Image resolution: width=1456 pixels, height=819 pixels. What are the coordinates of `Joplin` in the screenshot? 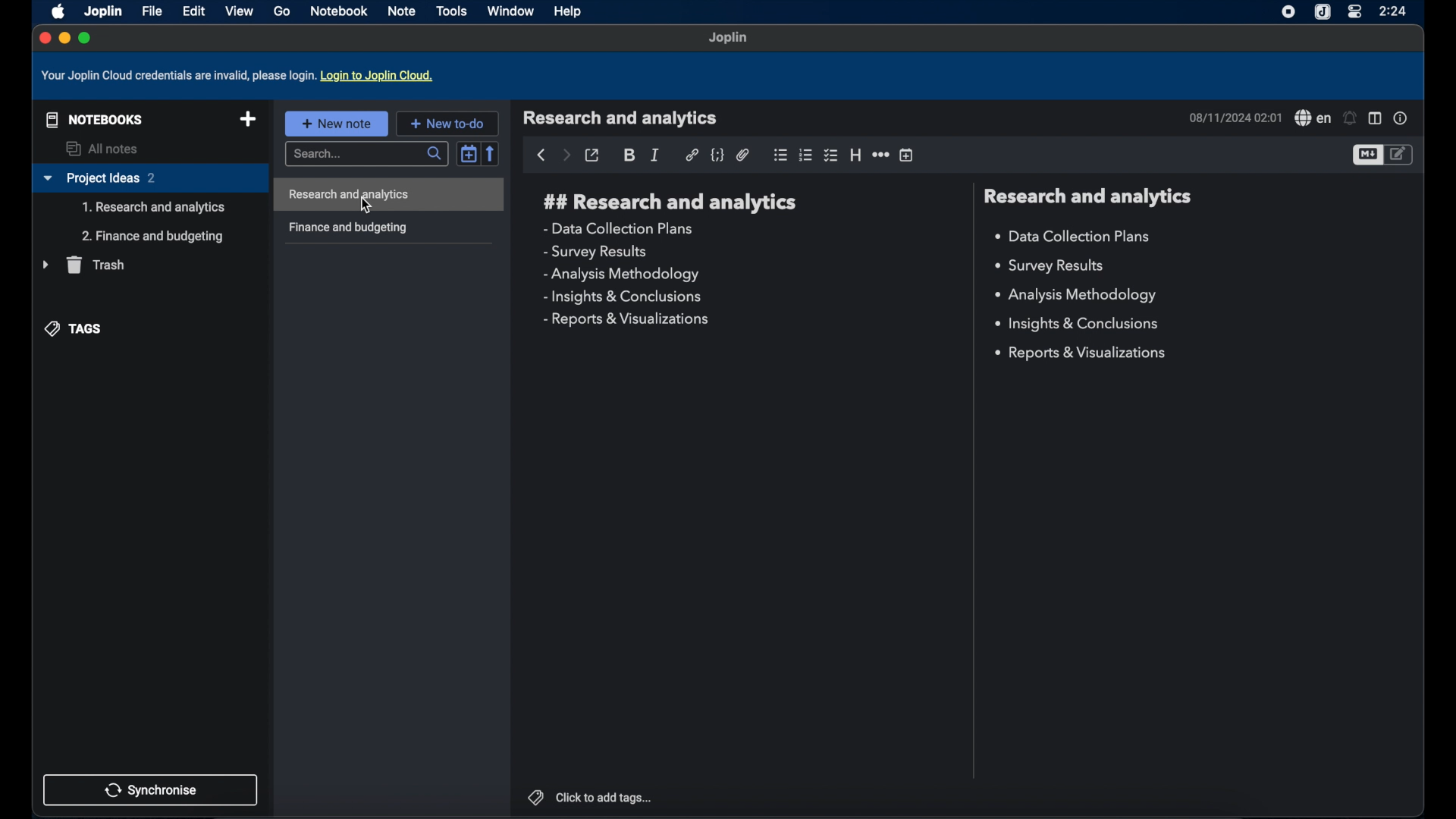 It's located at (729, 39).